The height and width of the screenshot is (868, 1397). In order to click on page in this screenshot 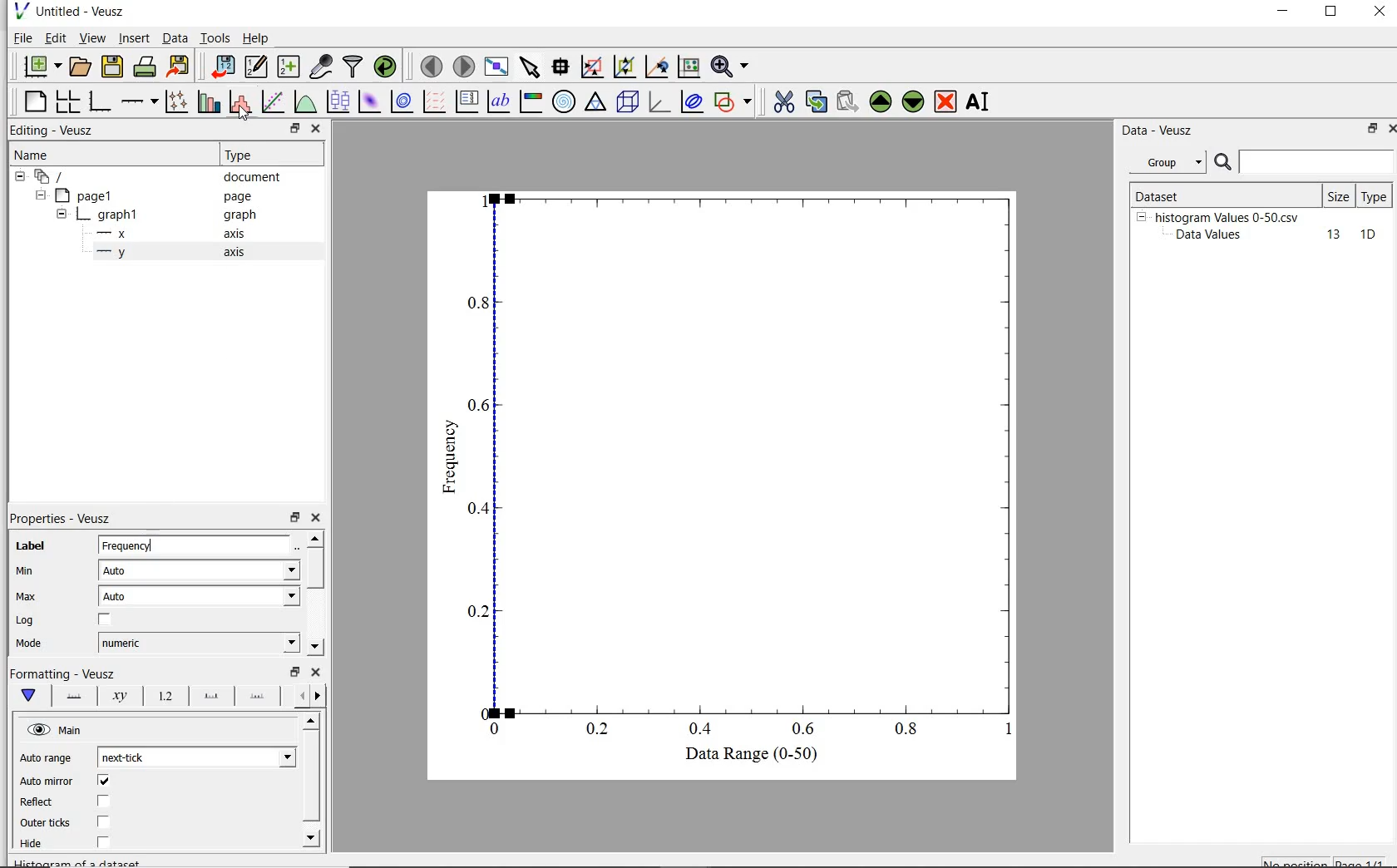, I will do `click(246, 197)`.